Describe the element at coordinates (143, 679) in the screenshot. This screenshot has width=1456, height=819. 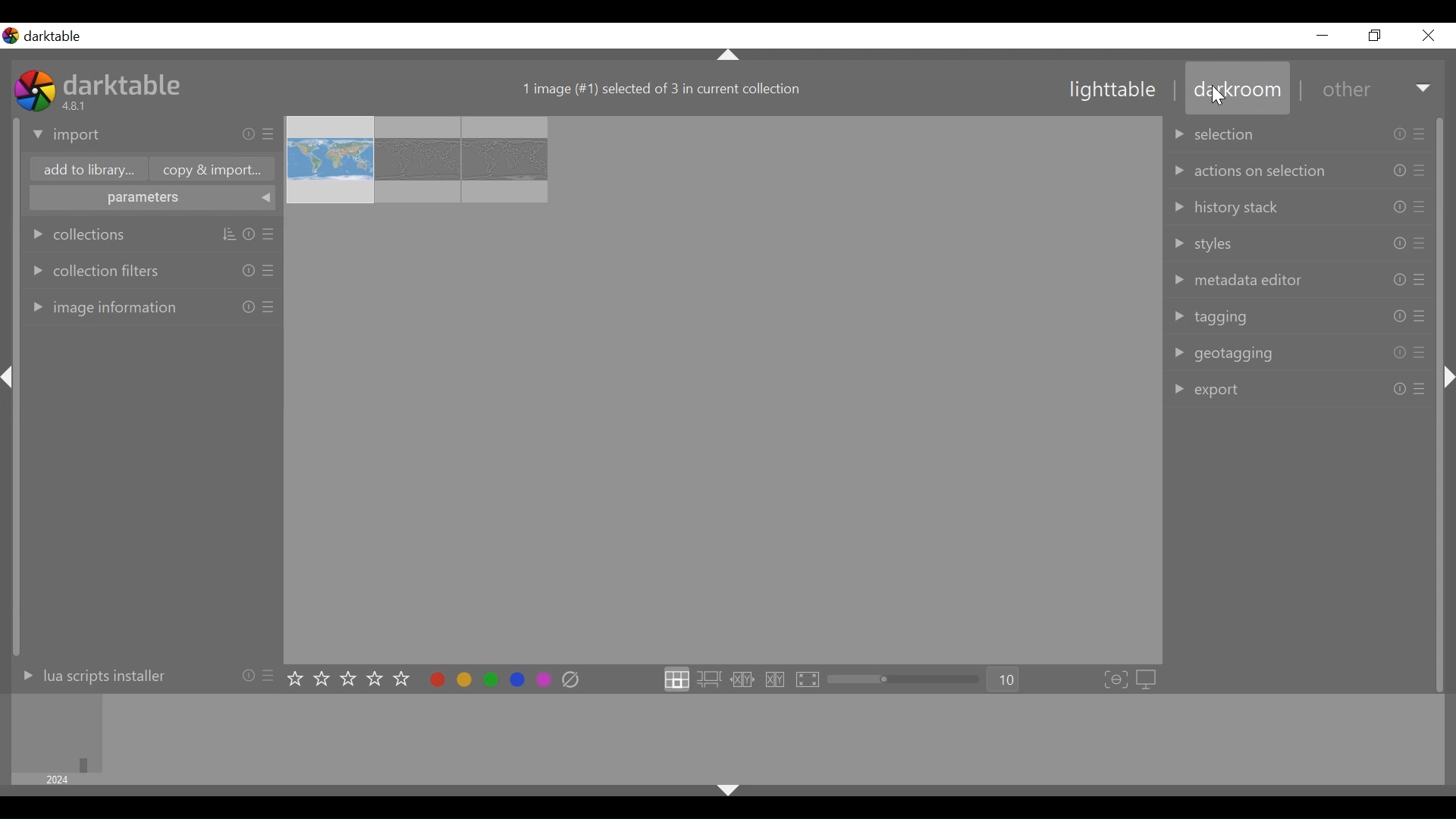
I see `lua scripts installer` at that location.